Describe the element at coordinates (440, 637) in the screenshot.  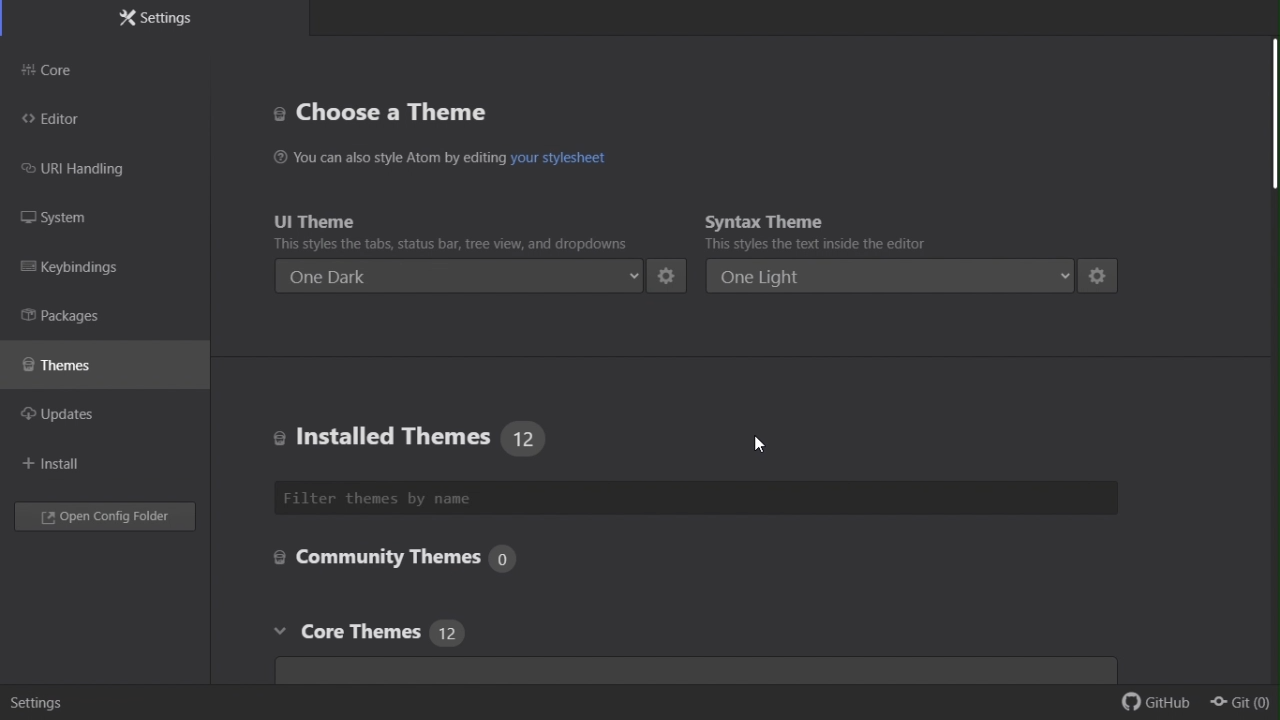
I see `Core theme` at that location.